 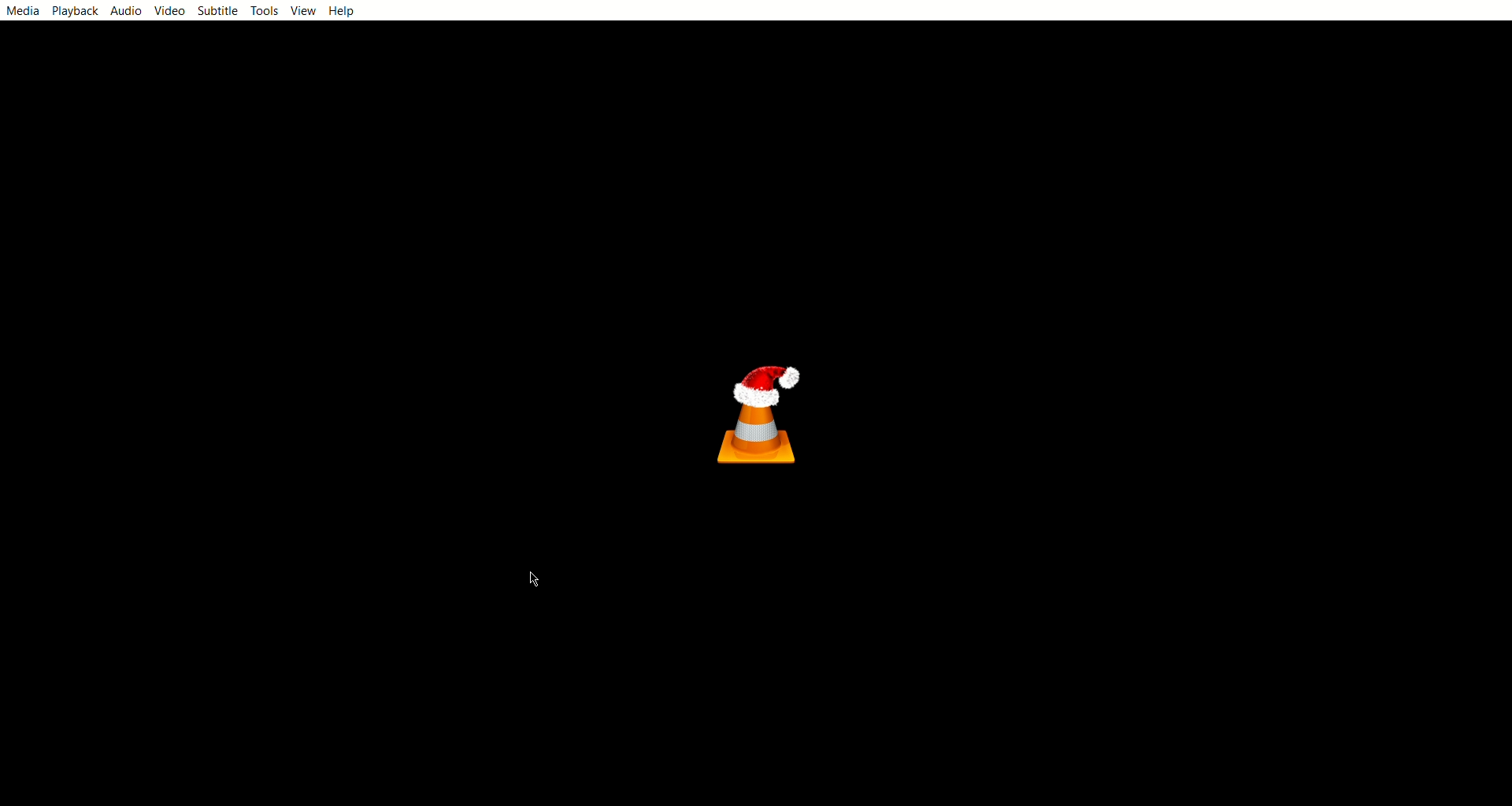 I want to click on video, so click(x=169, y=11).